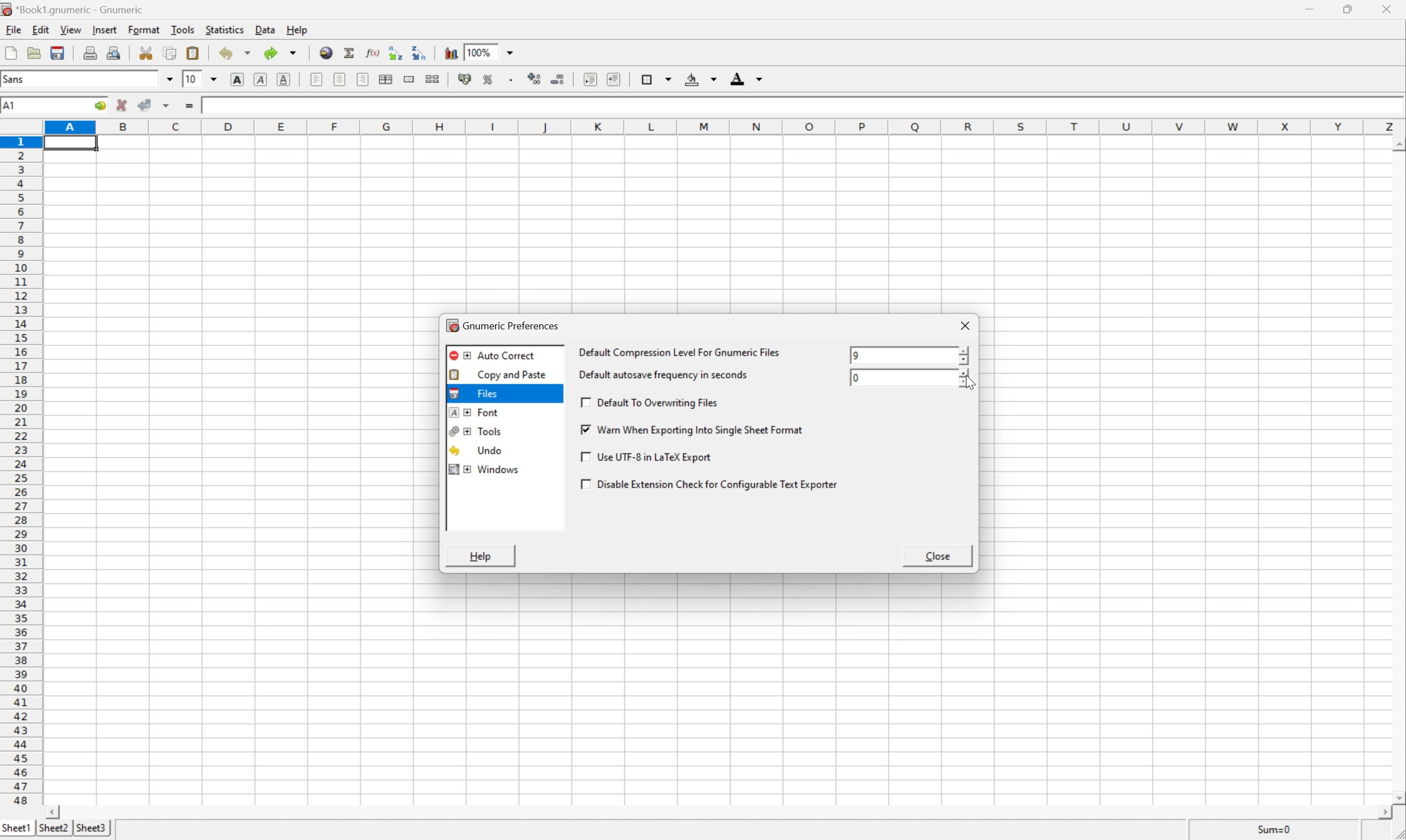 The height and width of the screenshot is (840, 1406). Describe the element at coordinates (966, 353) in the screenshot. I see `slider` at that location.